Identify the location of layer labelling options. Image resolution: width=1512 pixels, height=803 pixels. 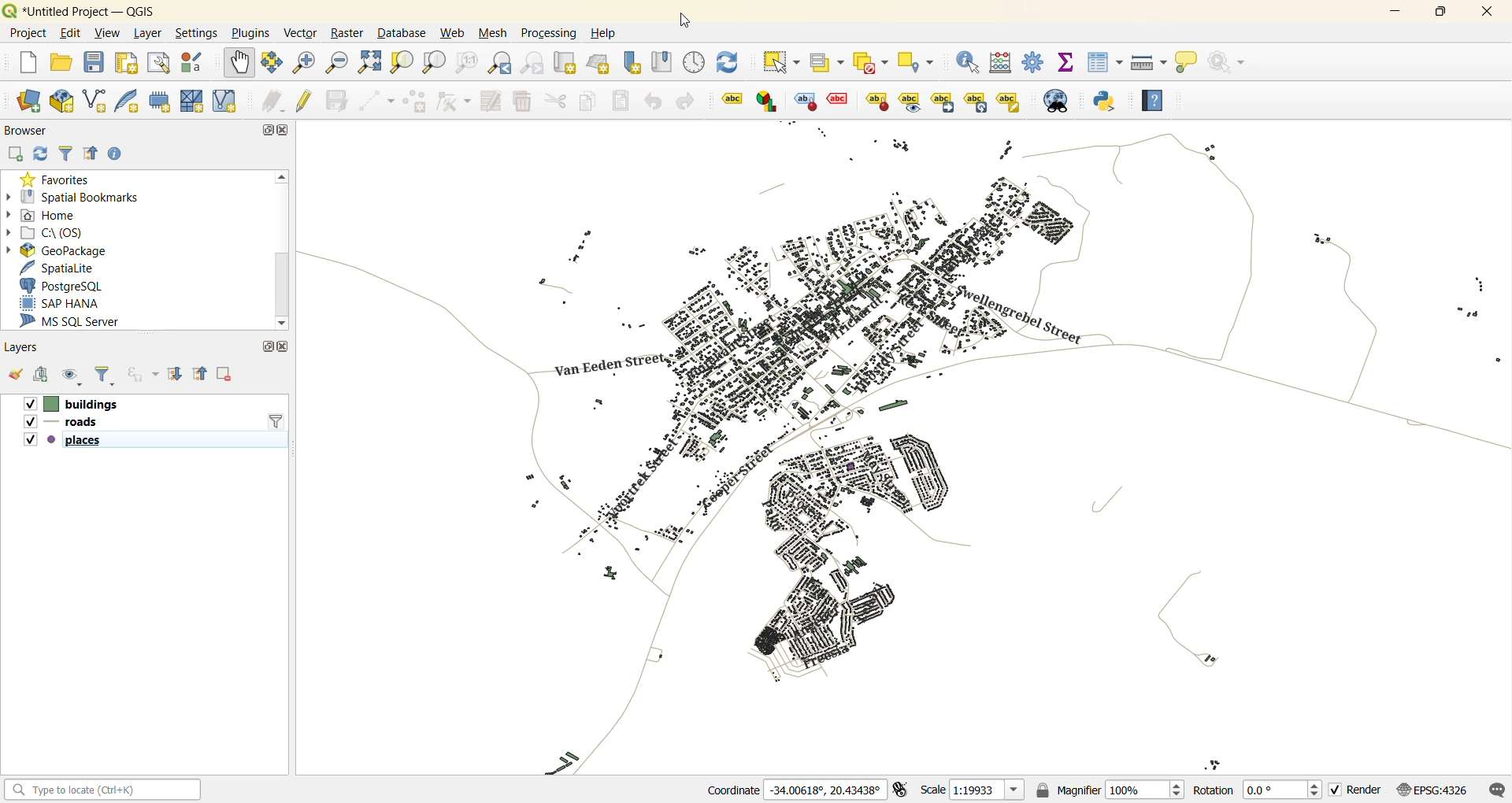
(732, 98).